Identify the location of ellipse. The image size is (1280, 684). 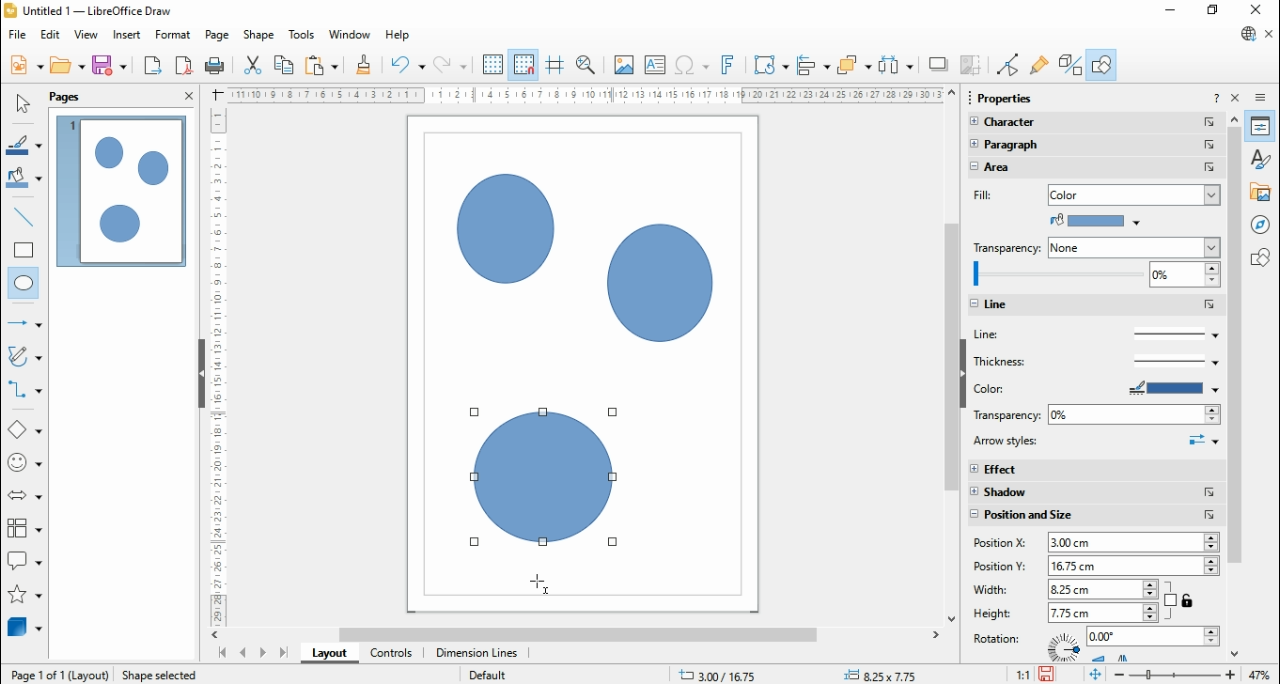
(25, 284).